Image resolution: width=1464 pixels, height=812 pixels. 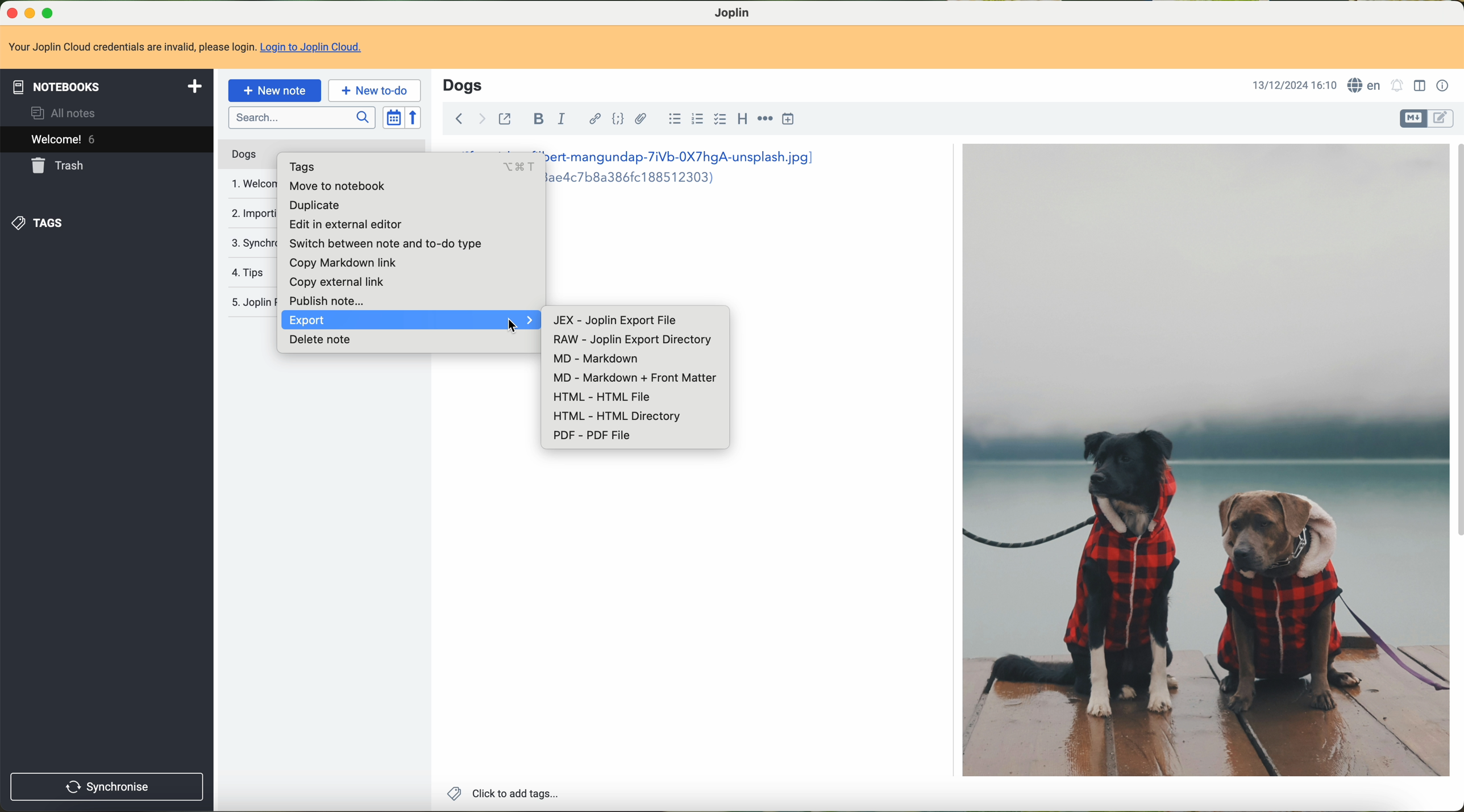 What do you see at coordinates (42, 221) in the screenshot?
I see `tags` at bounding box center [42, 221].